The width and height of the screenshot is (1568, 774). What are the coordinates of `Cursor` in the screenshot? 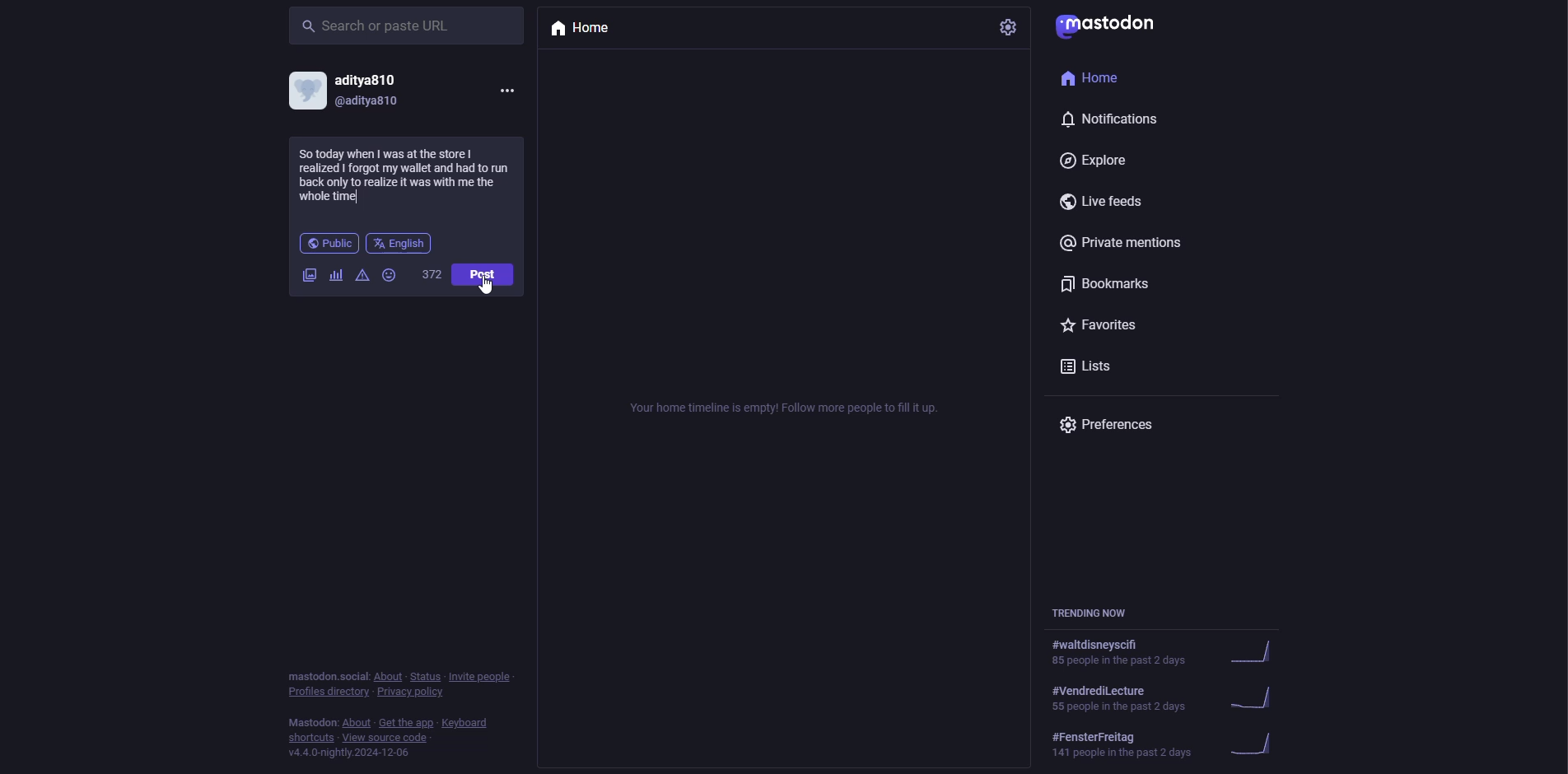 It's located at (487, 288).